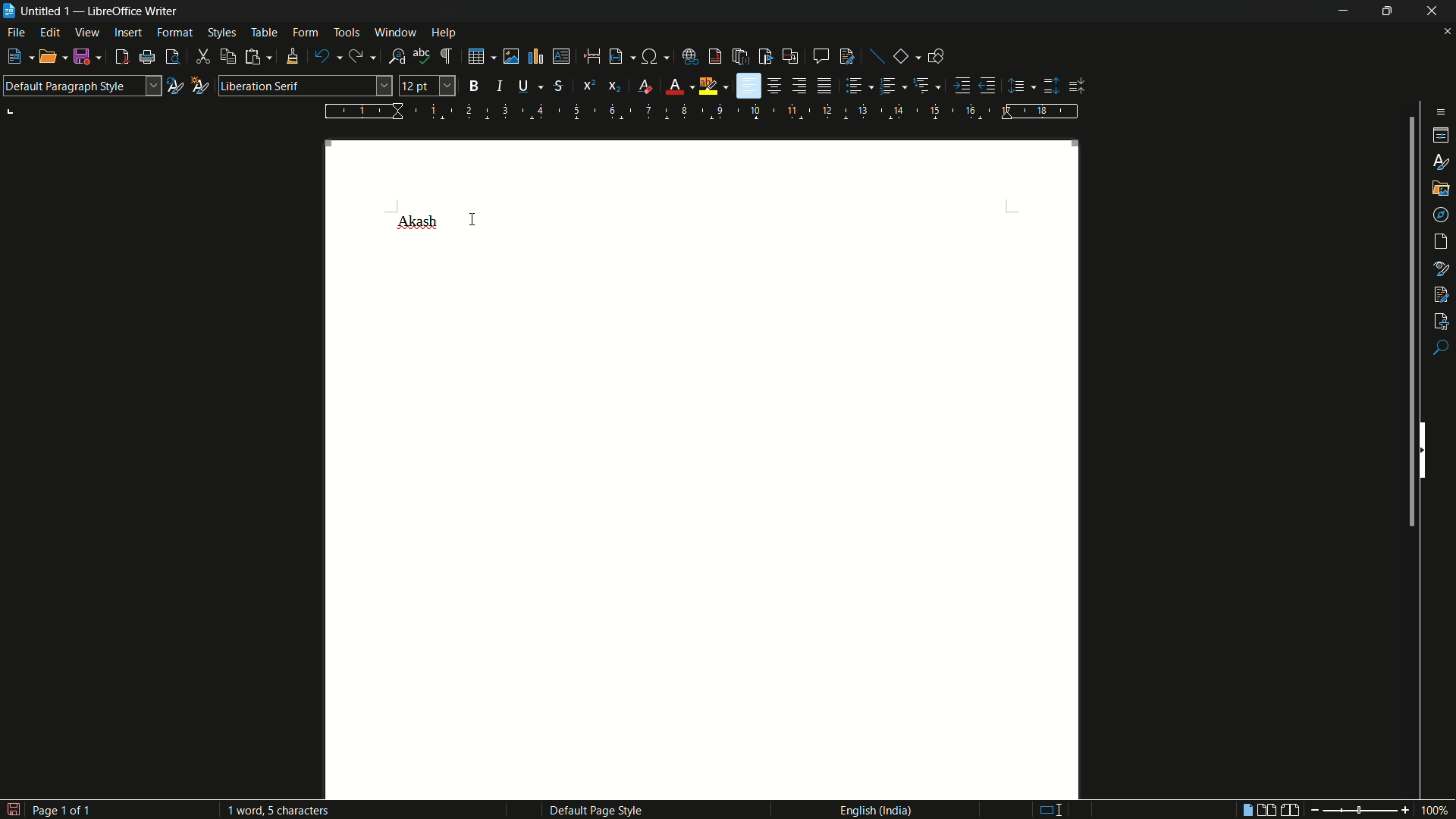 The width and height of the screenshot is (1456, 819). What do you see at coordinates (1291, 811) in the screenshot?
I see `book view` at bounding box center [1291, 811].